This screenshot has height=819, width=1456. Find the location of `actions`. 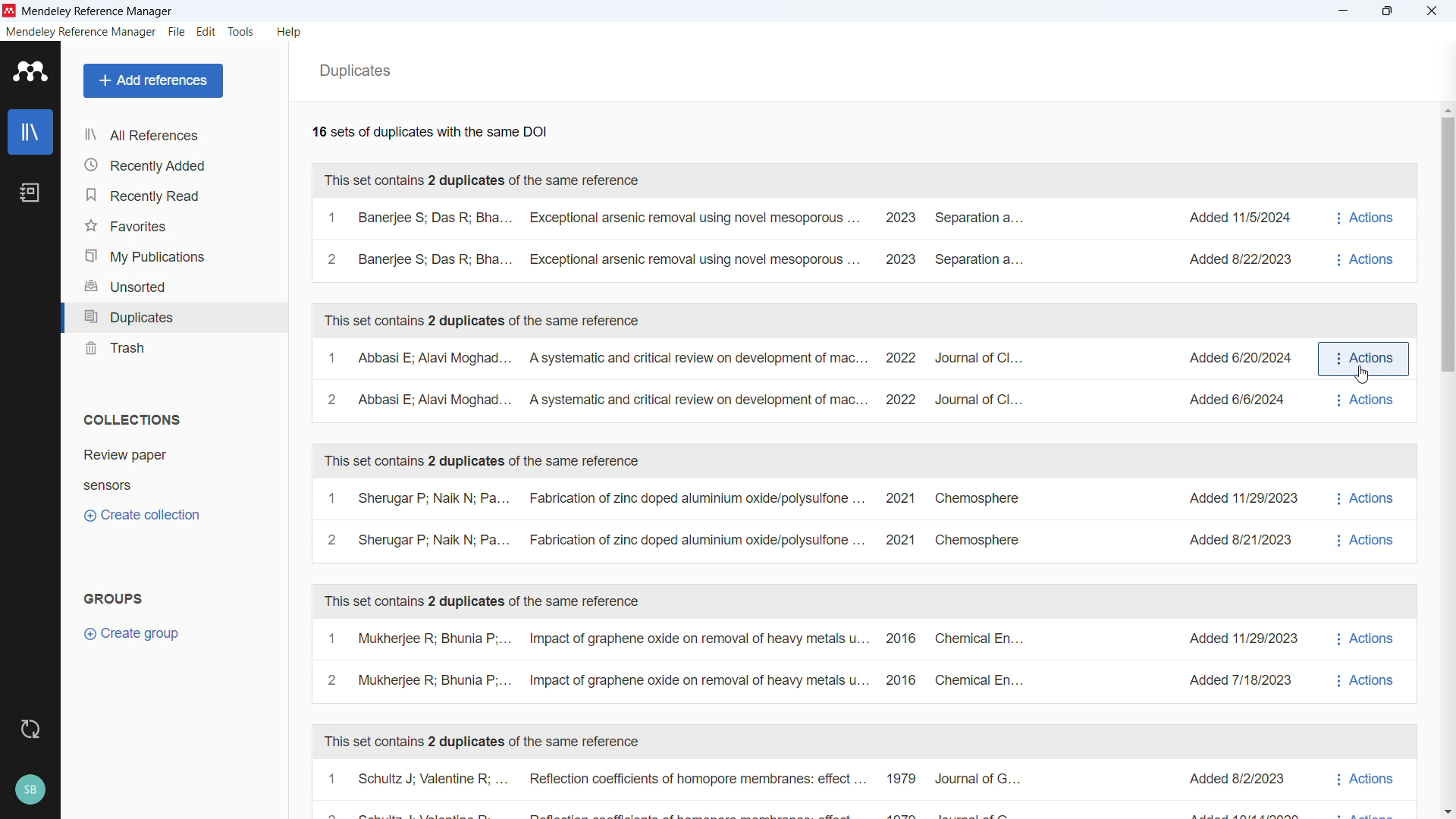

actions is located at coordinates (1363, 519).